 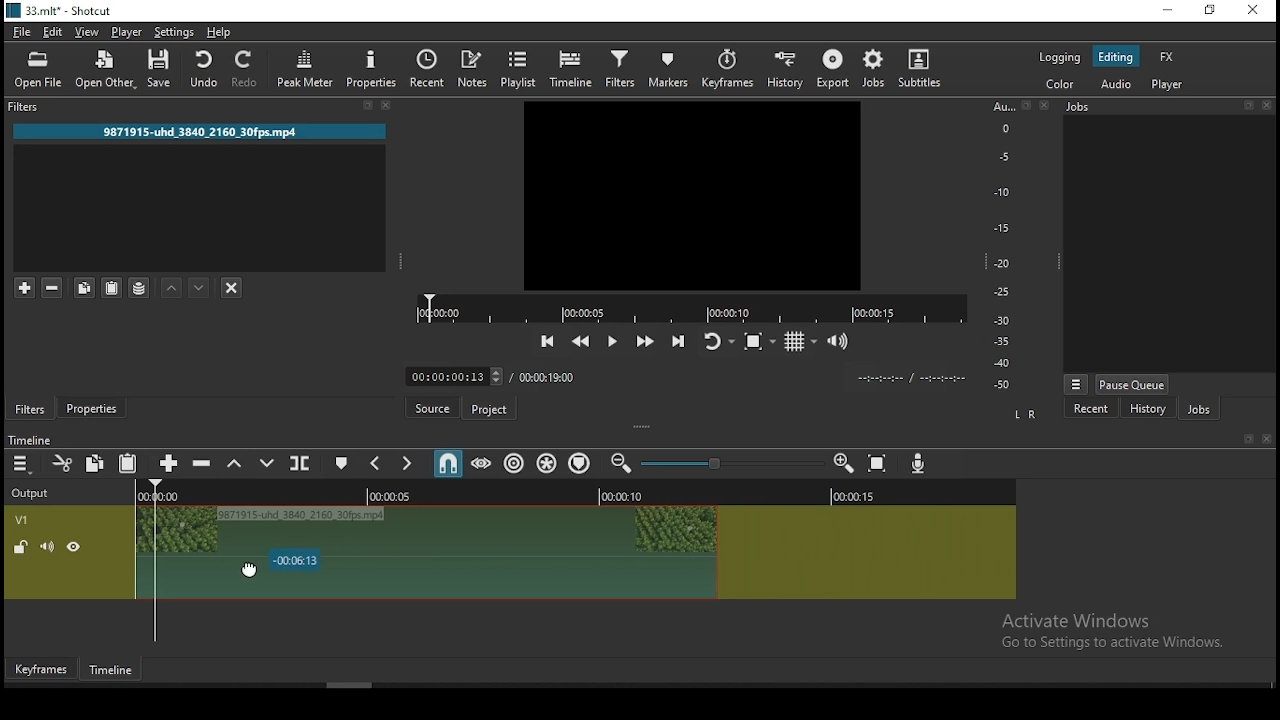 I want to click on player, so click(x=1171, y=86).